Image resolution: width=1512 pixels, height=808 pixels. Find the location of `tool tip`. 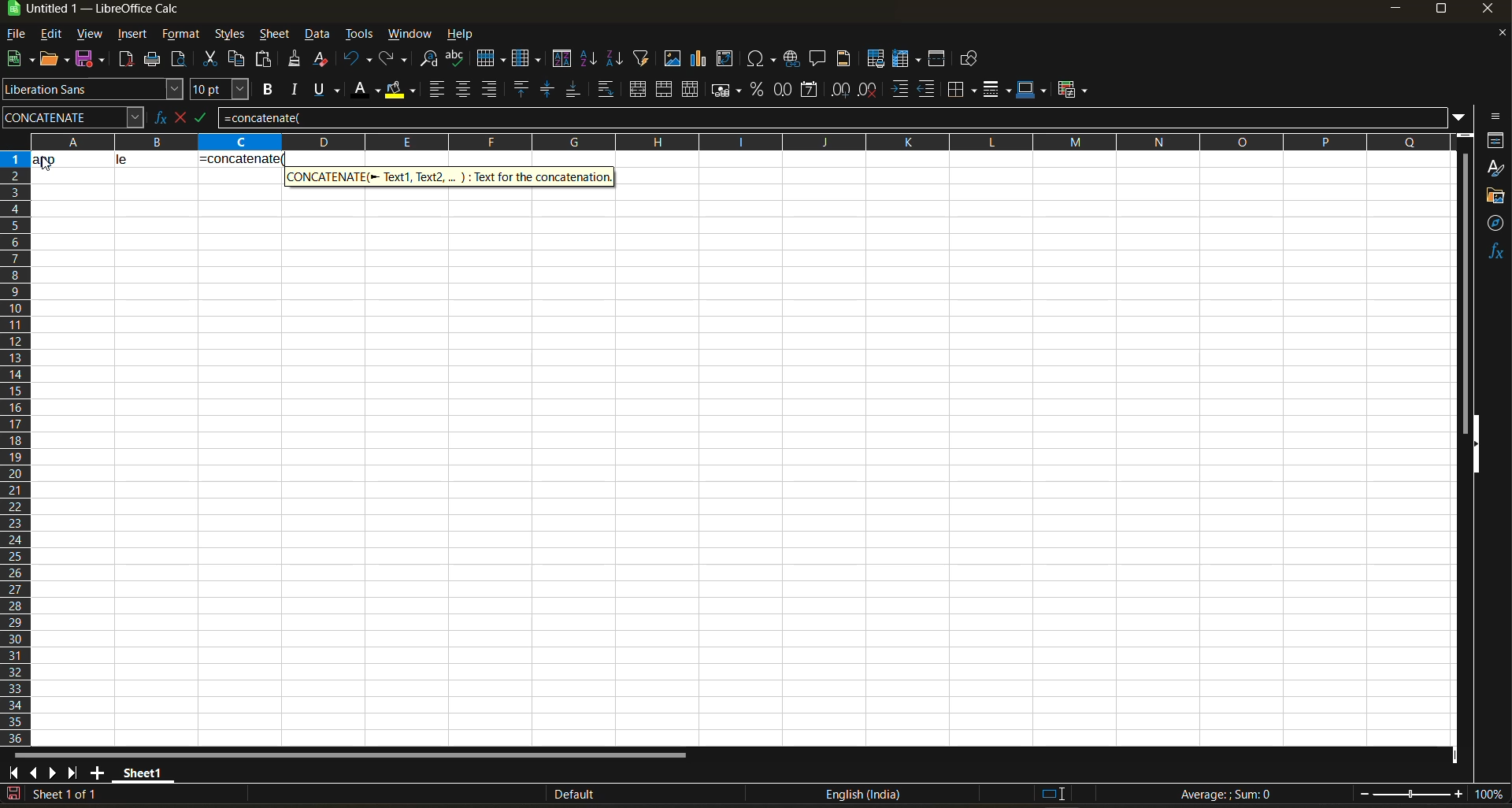

tool tip is located at coordinates (449, 176).